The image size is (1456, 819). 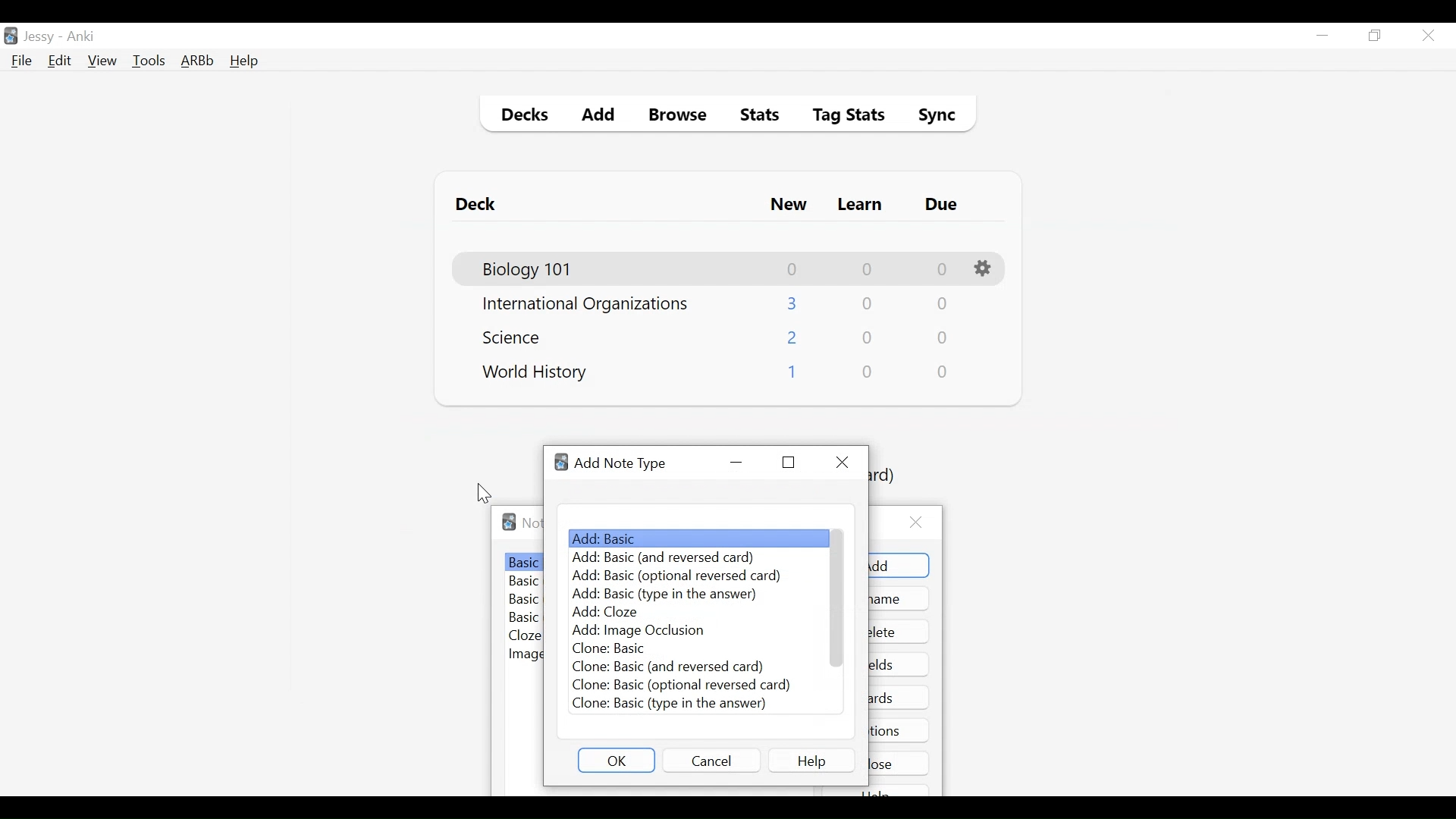 I want to click on Stats, so click(x=755, y=115).